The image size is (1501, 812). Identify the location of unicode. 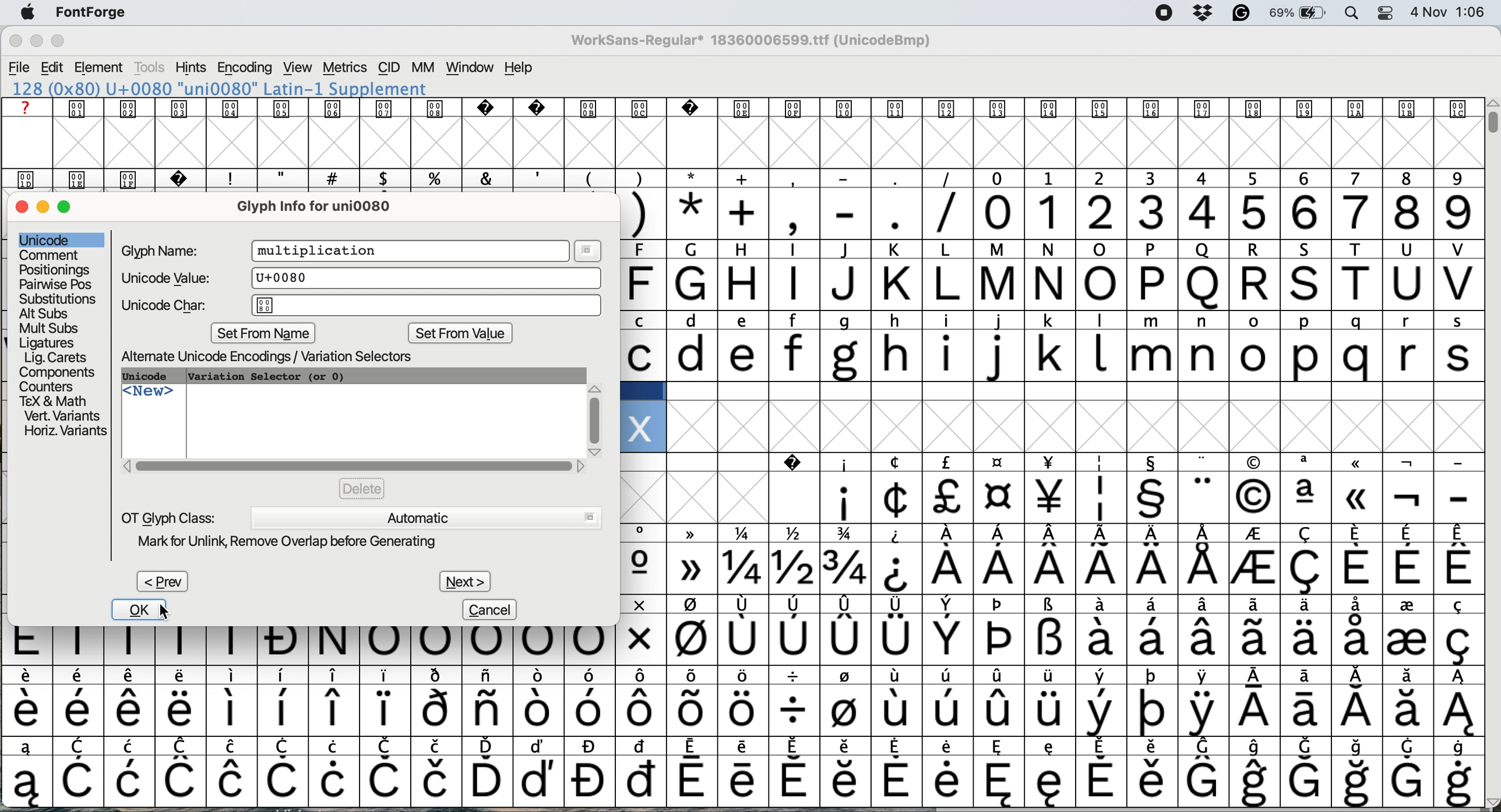
(47, 239).